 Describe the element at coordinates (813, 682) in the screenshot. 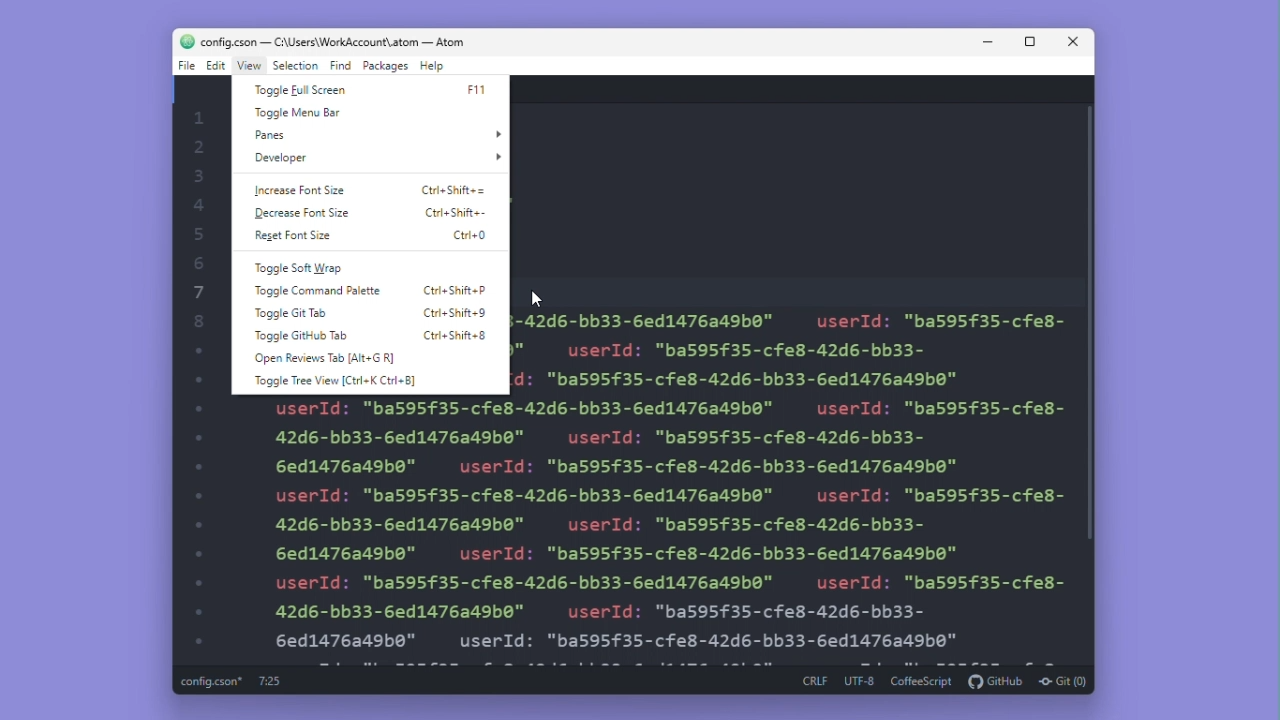

I see `crlf` at that location.